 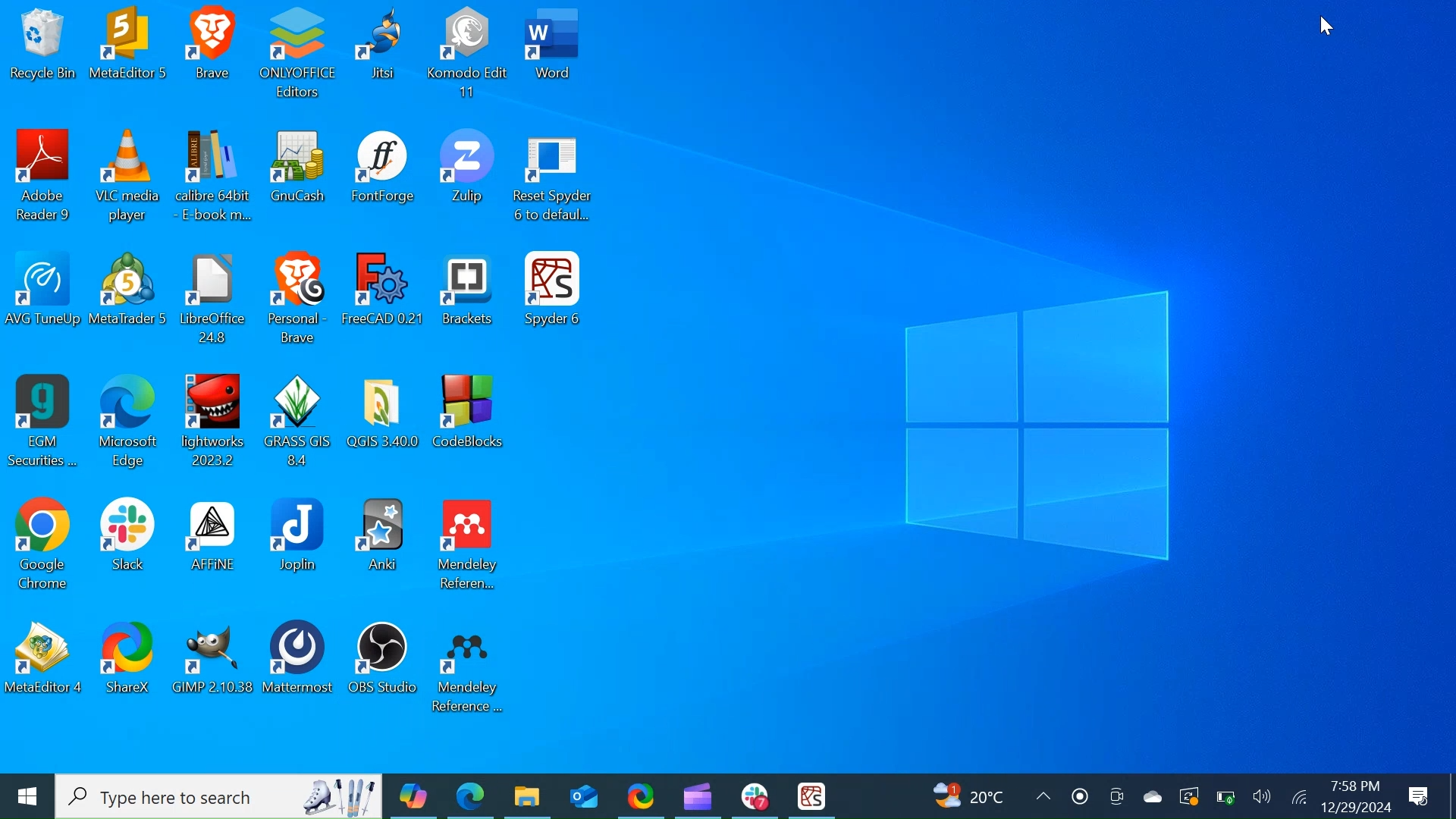 I want to click on 12/29/2024, so click(x=1359, y=808).